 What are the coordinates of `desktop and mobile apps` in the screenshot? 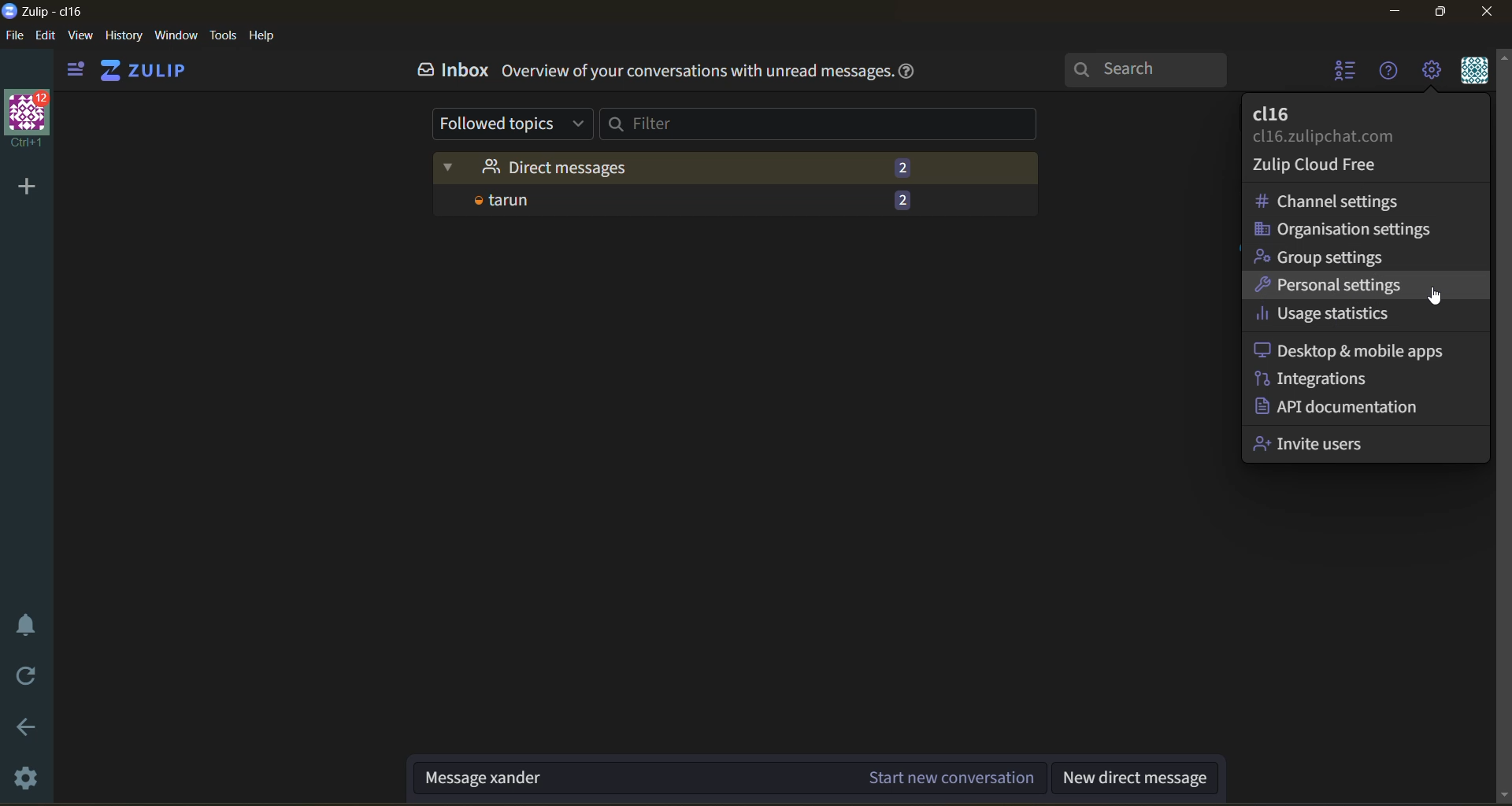 It's located at (1352, 351).